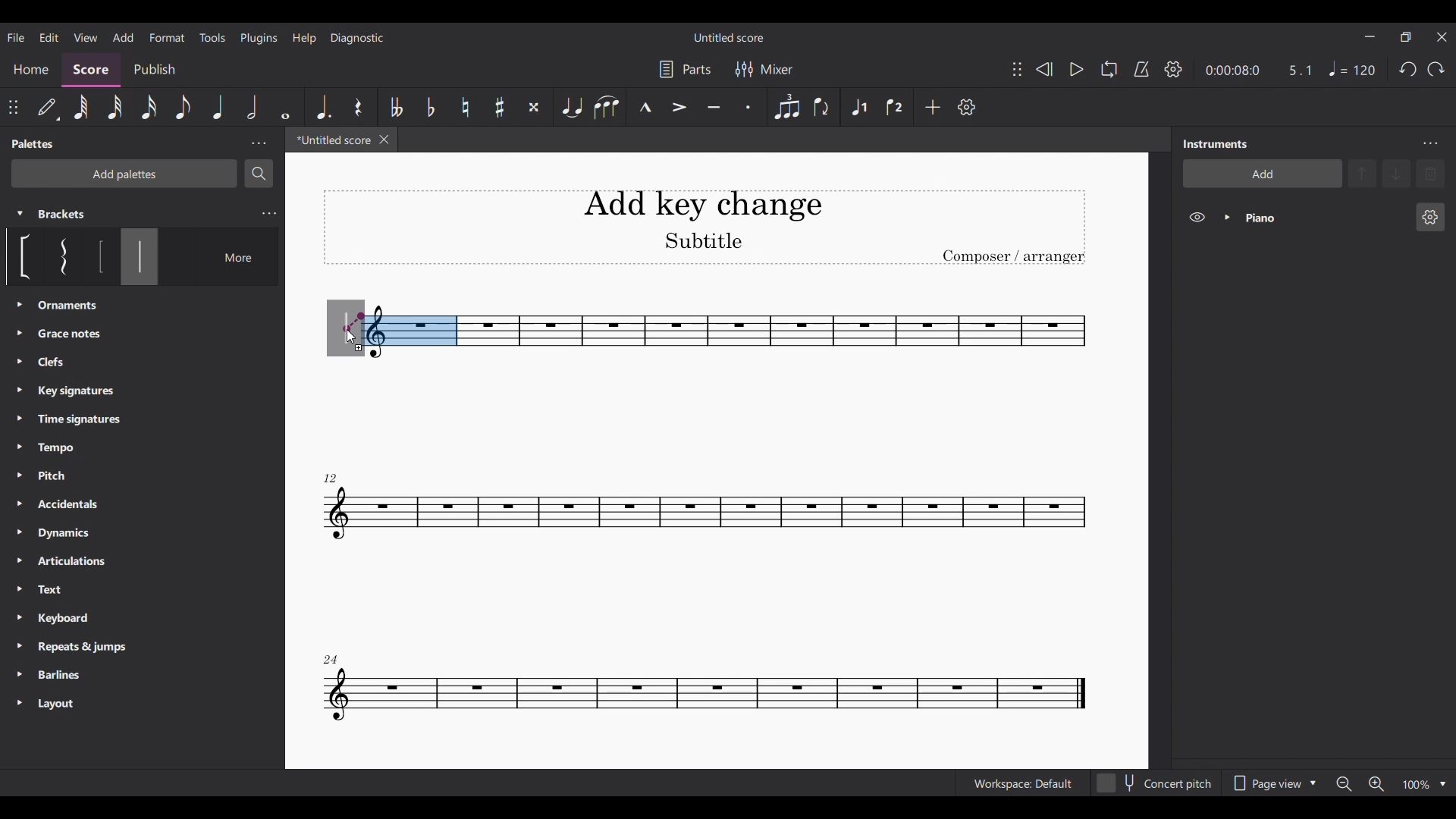 This screenshot has width=1456, height=819. What do you see at coordinates (1023, 783) in the screenshot?
I see `Workspace: Default` at bounding box center [1023, 783].